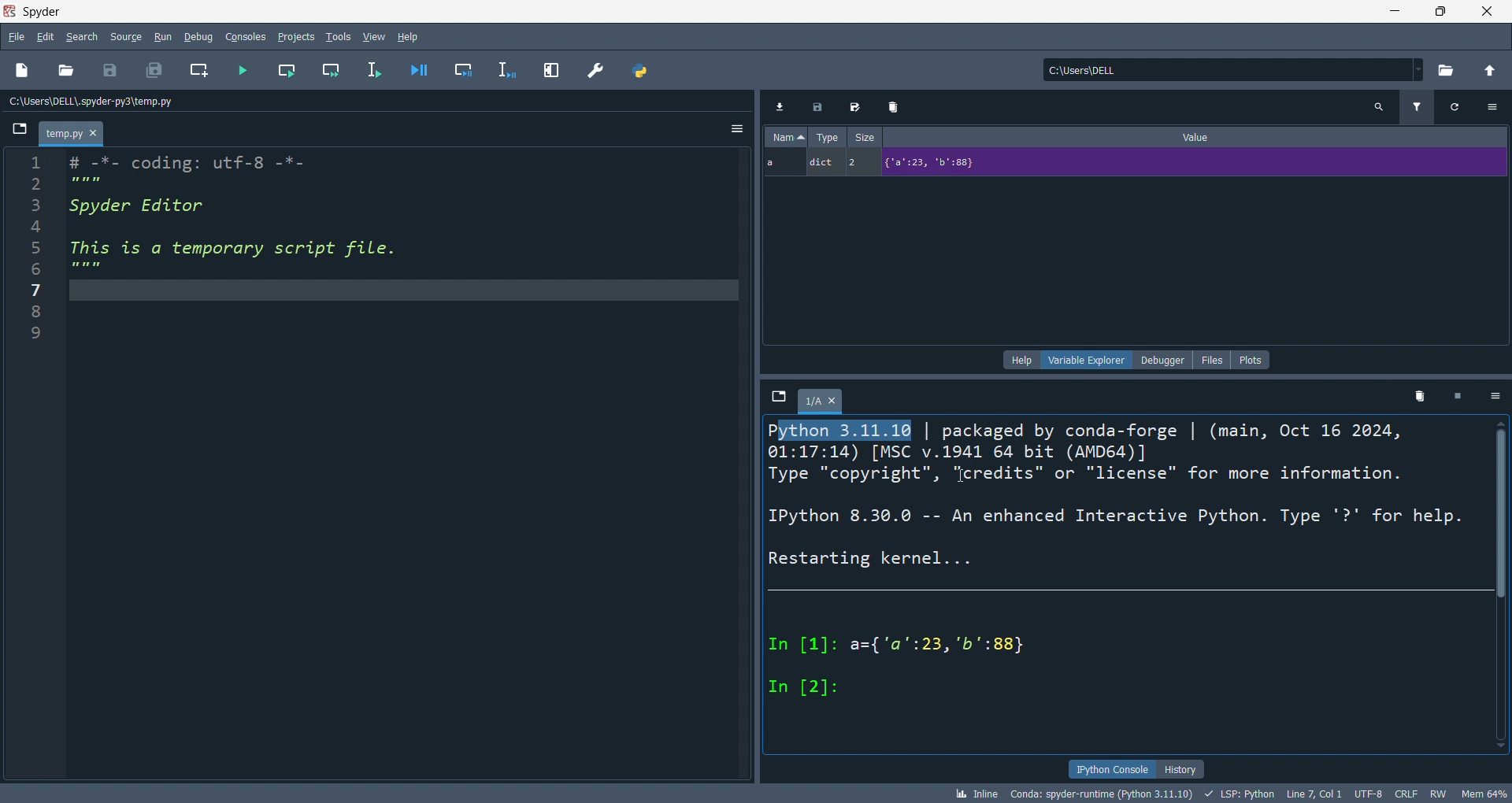 The width and height of the screenshot is (1512, 803). Describe the element at coordinates (1181, 768) in the screenshot. I see `history` at that location.